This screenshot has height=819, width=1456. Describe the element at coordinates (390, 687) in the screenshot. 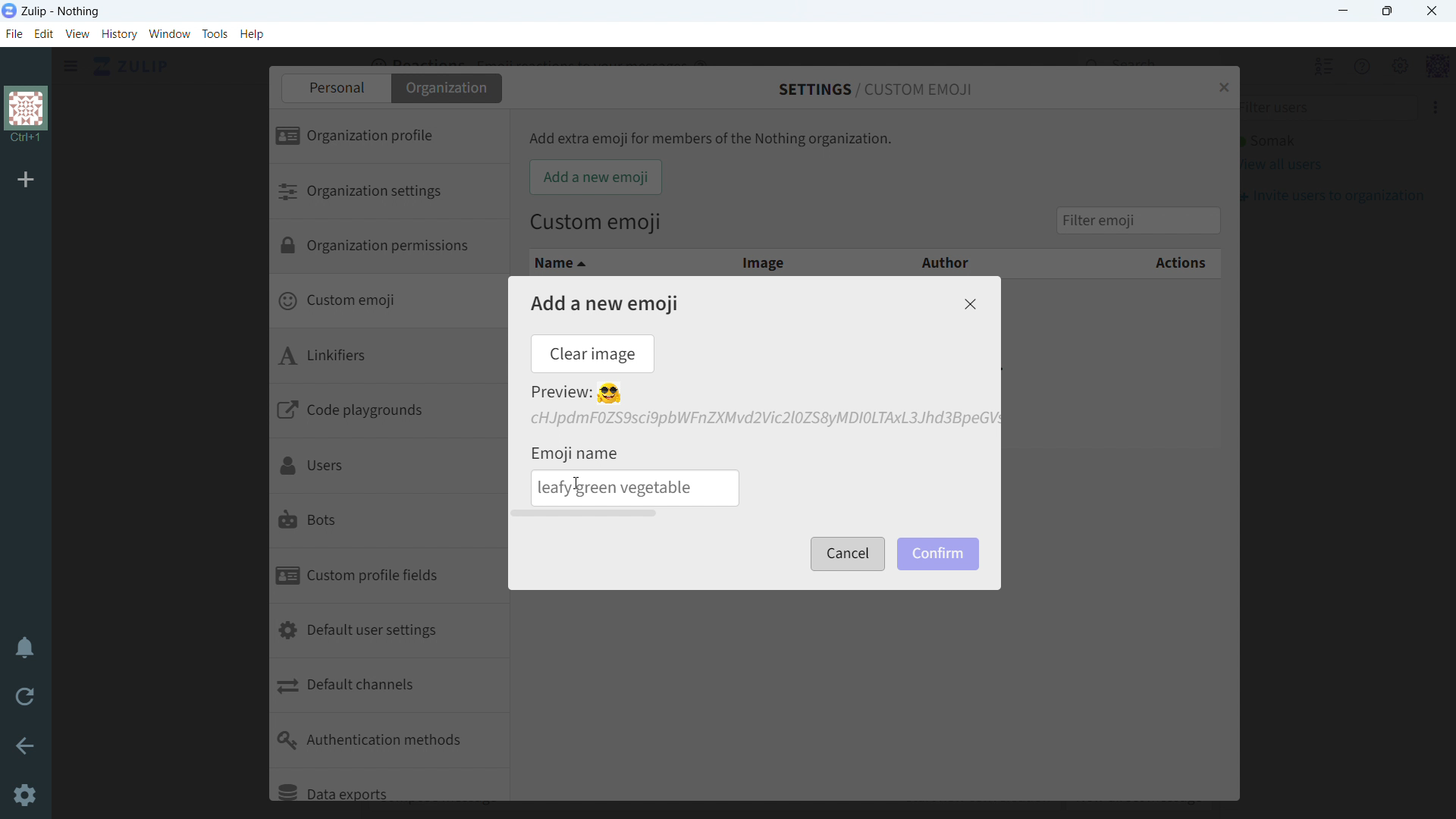

I see `default channels` at that location.